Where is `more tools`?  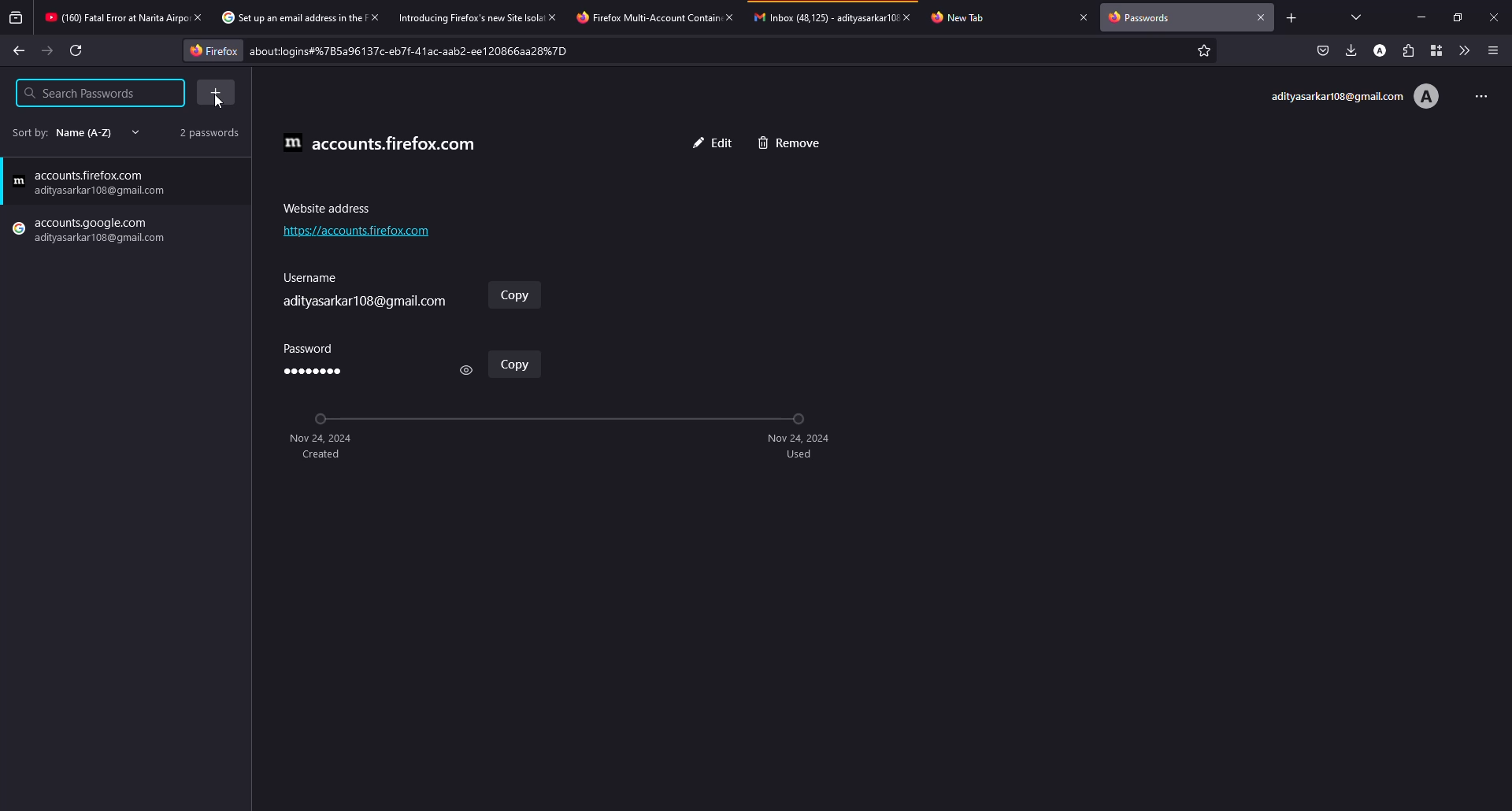 more tools is located at coordinates (1461, 50).